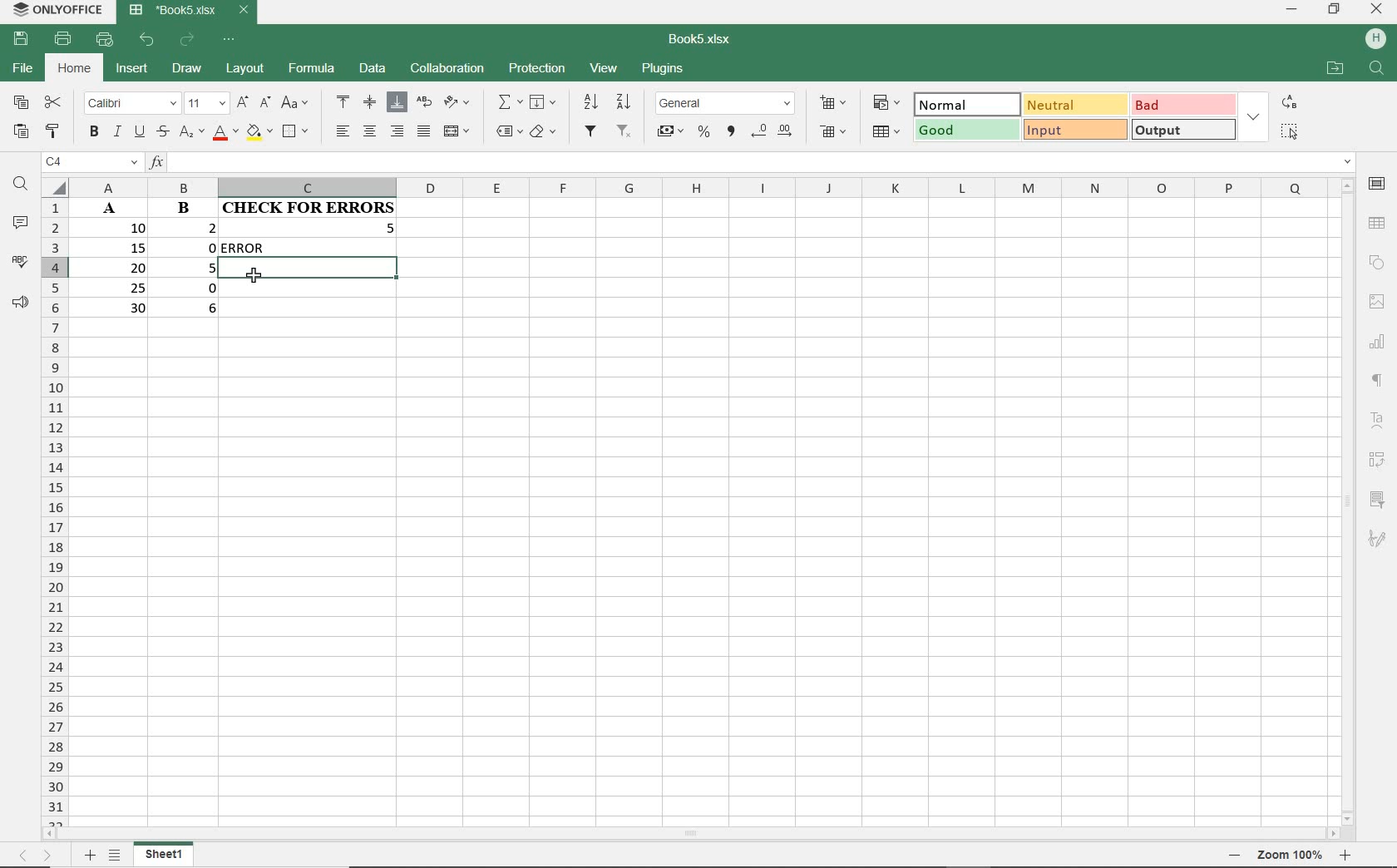 The image size is (1397, 868). I want to click on ALIGN CENTER, so click(370, 131).